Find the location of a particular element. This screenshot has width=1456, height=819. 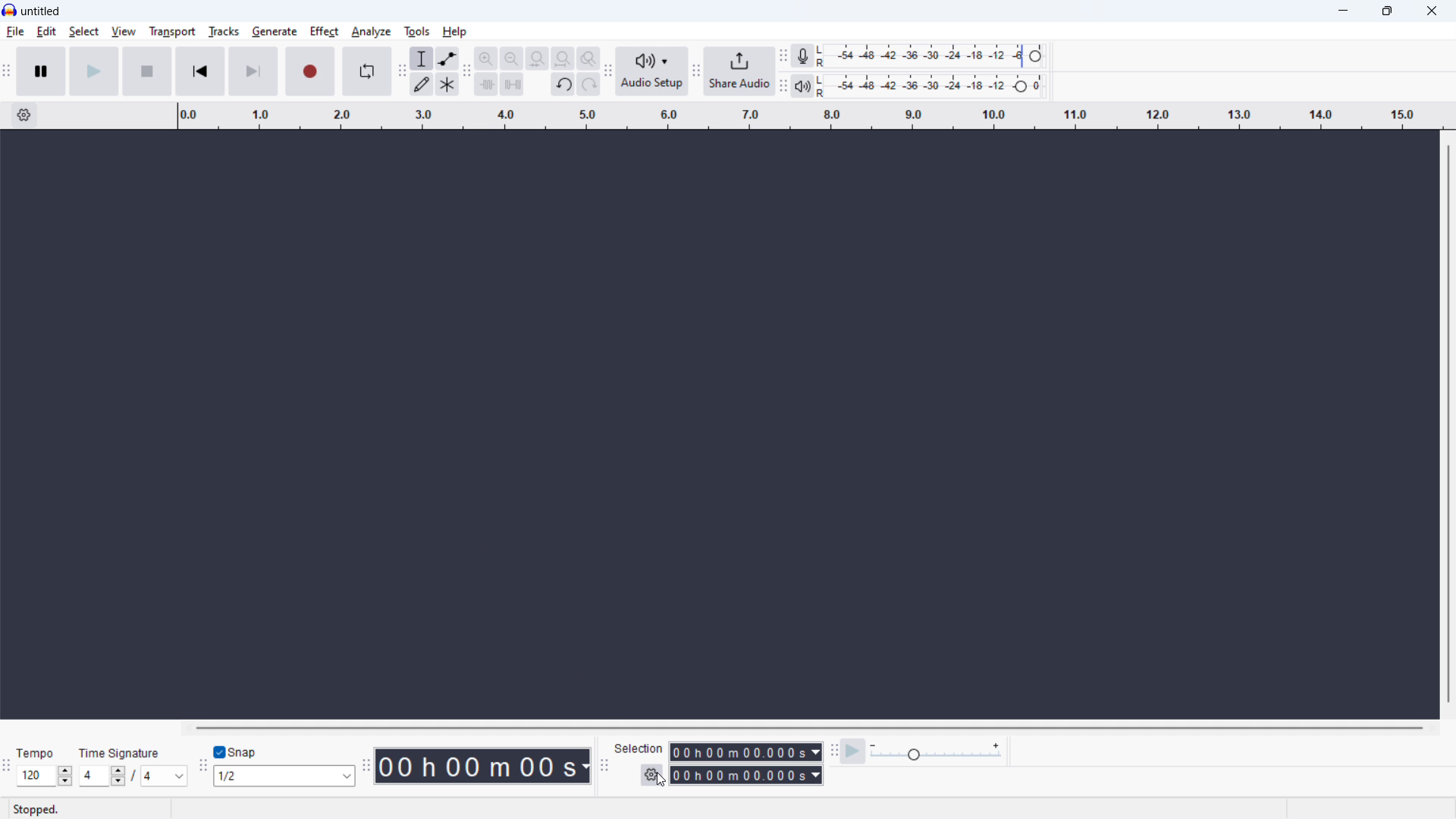

view is located at coordinates (124, 32).